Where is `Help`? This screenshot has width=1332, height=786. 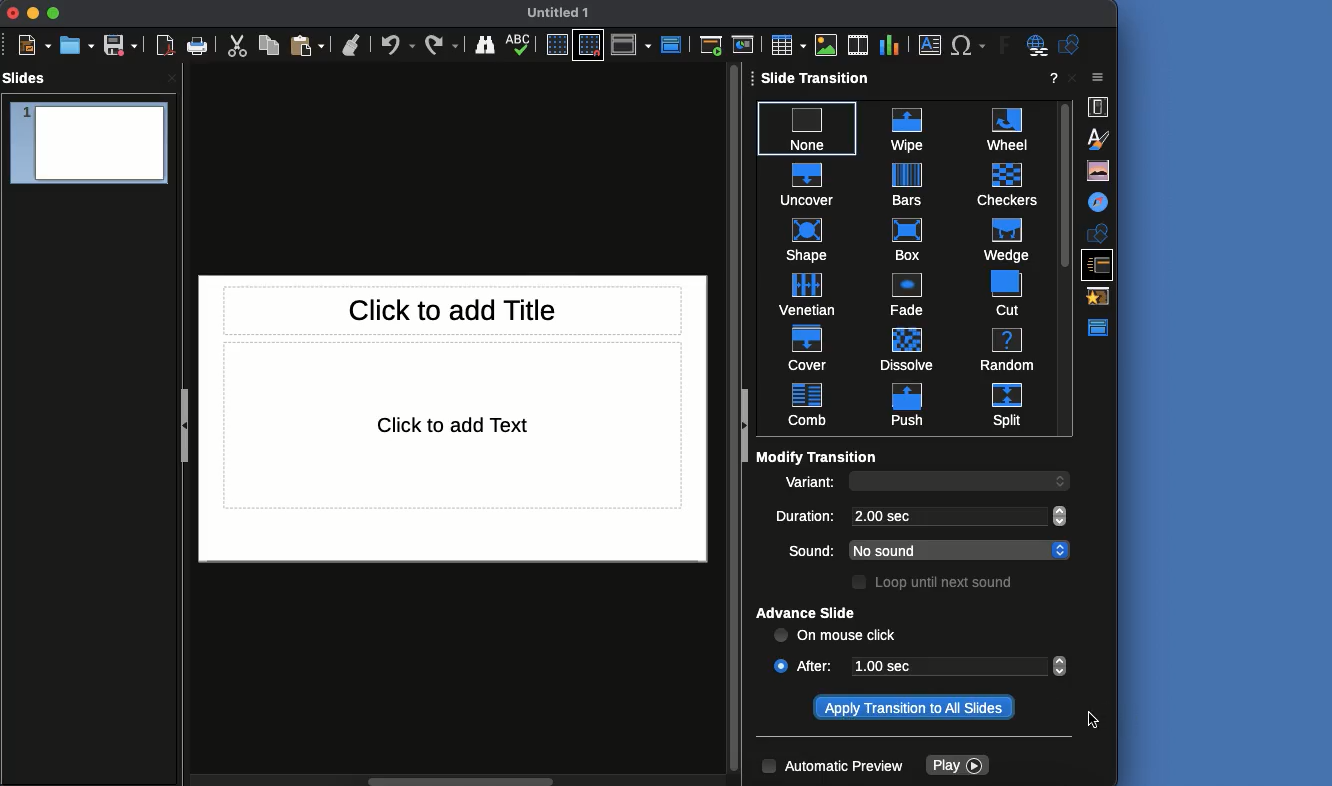
Help is located at coordinates (1051, 78).